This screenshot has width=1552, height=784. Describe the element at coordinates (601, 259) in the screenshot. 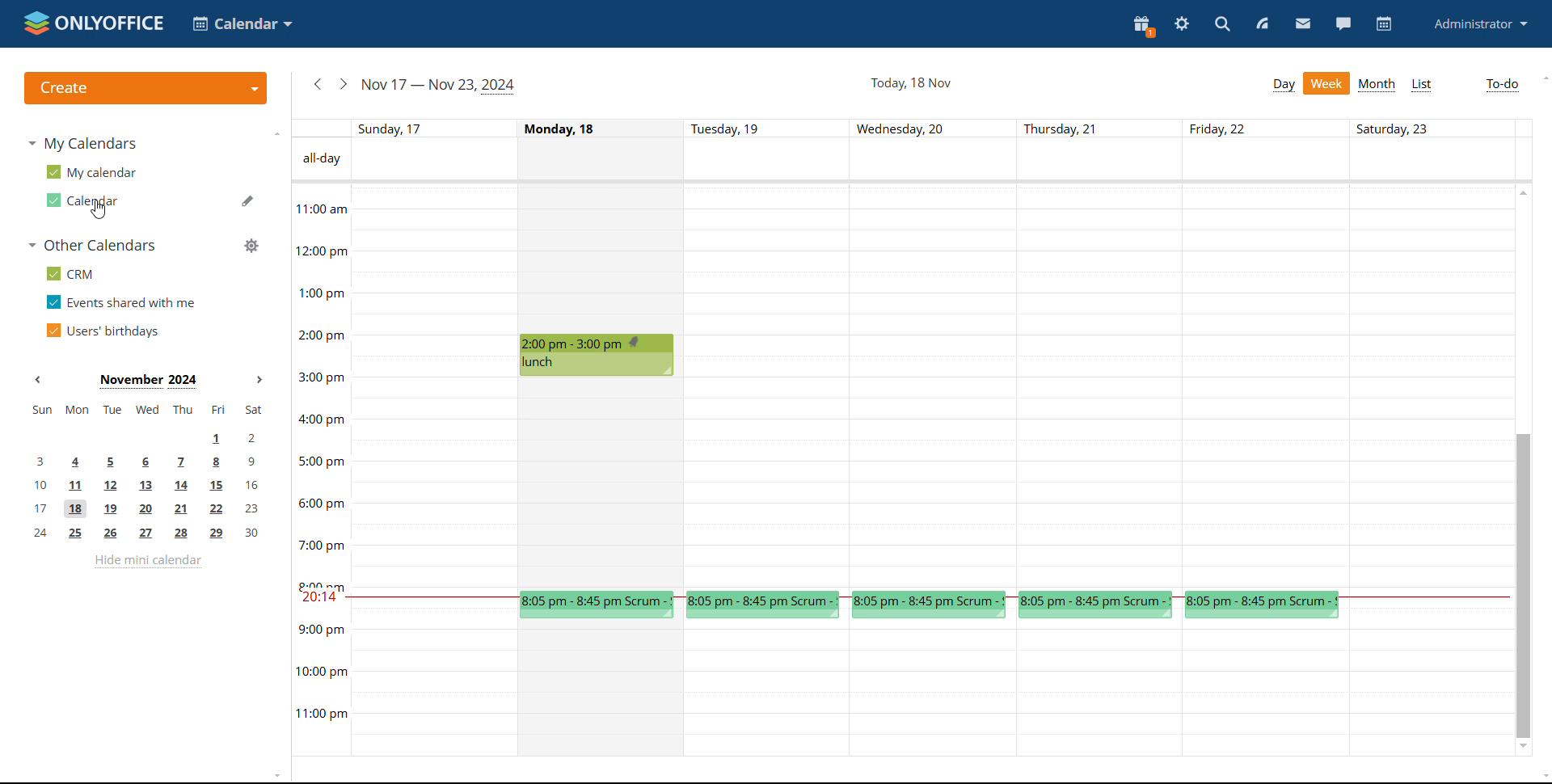

I see `Monday` at that location.